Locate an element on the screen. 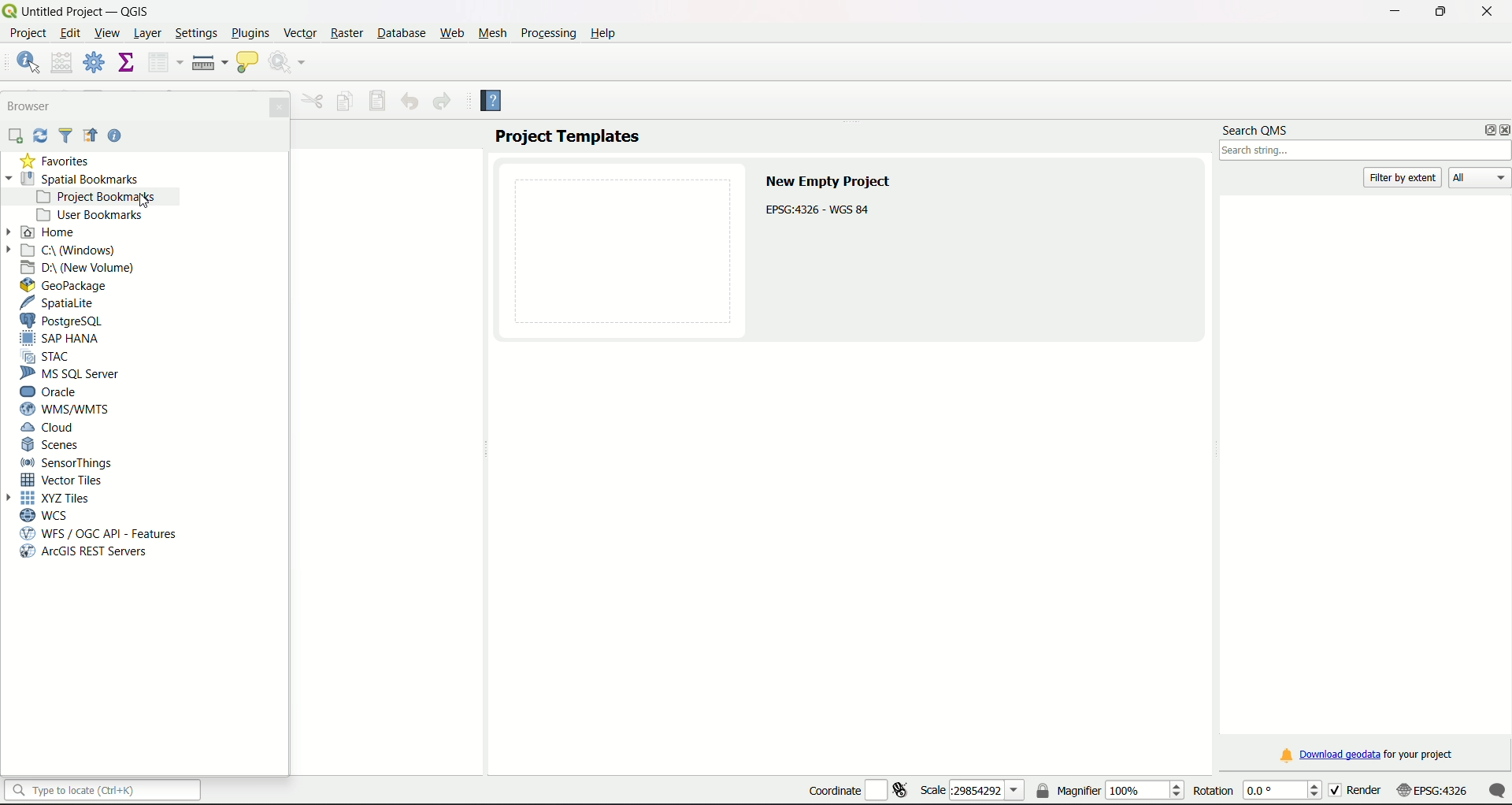 This screenshot has height=805, width=1512. Vector Tiles is located at coordinates (66, 480).